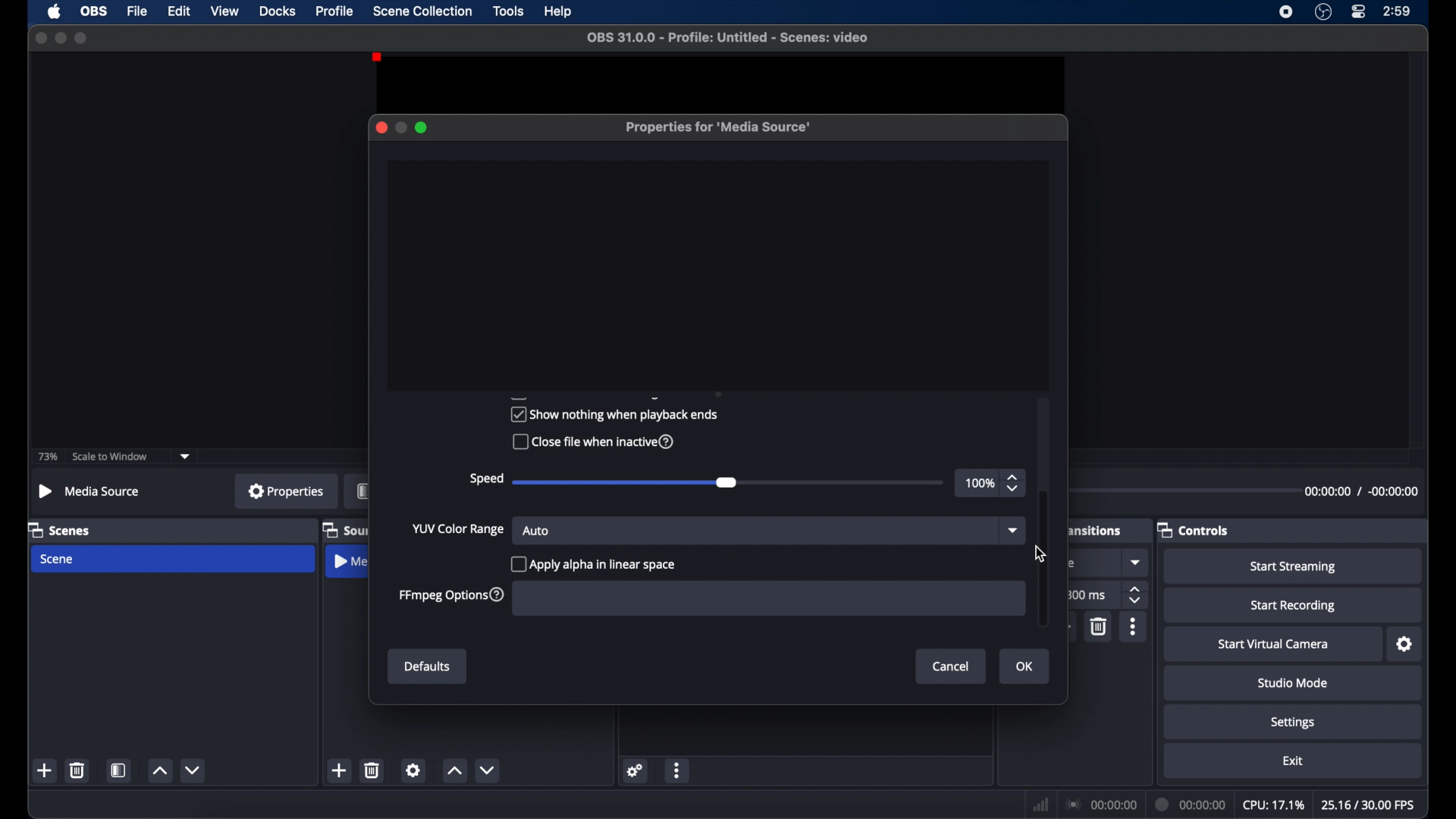 Image resolution: width=1456 pixels, height=819 pixels. What do you see at coordinates (1045, 559) in the screenshot?
I see `scroll box` at bounding box center [1045, 559].